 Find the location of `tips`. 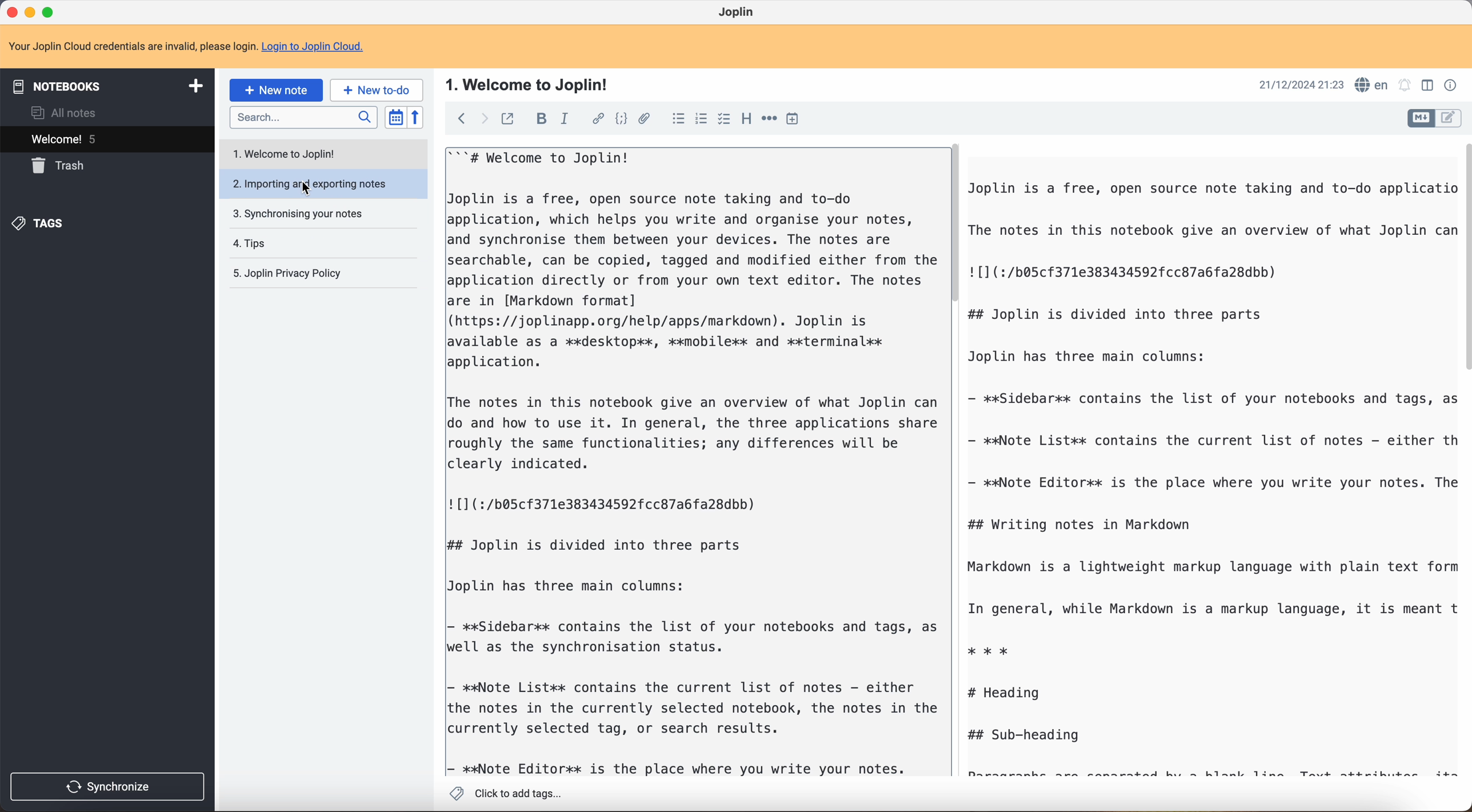

tips is located at coordinates (250, 242).